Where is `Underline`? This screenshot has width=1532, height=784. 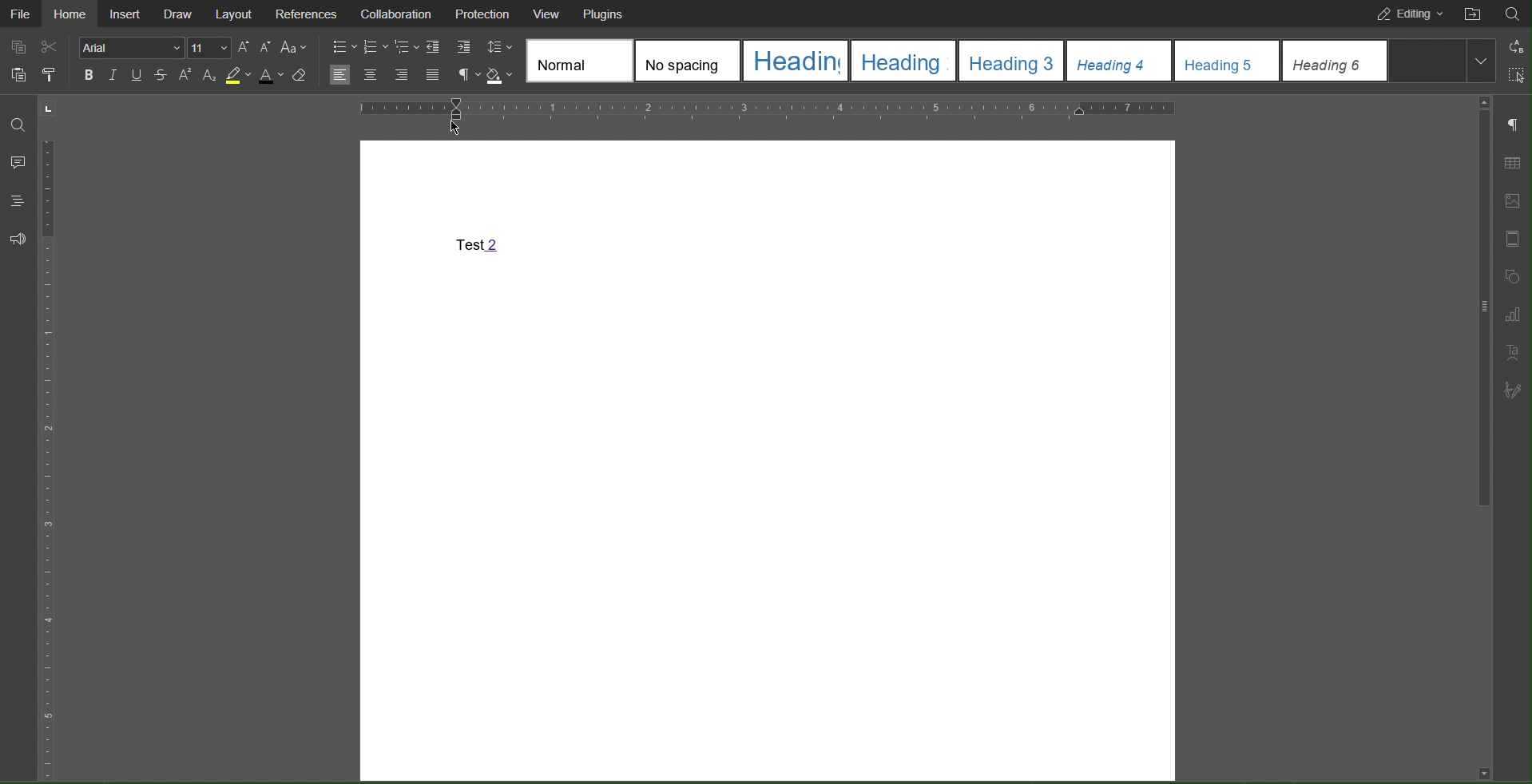
Underline is located at coordinates (137, 74).